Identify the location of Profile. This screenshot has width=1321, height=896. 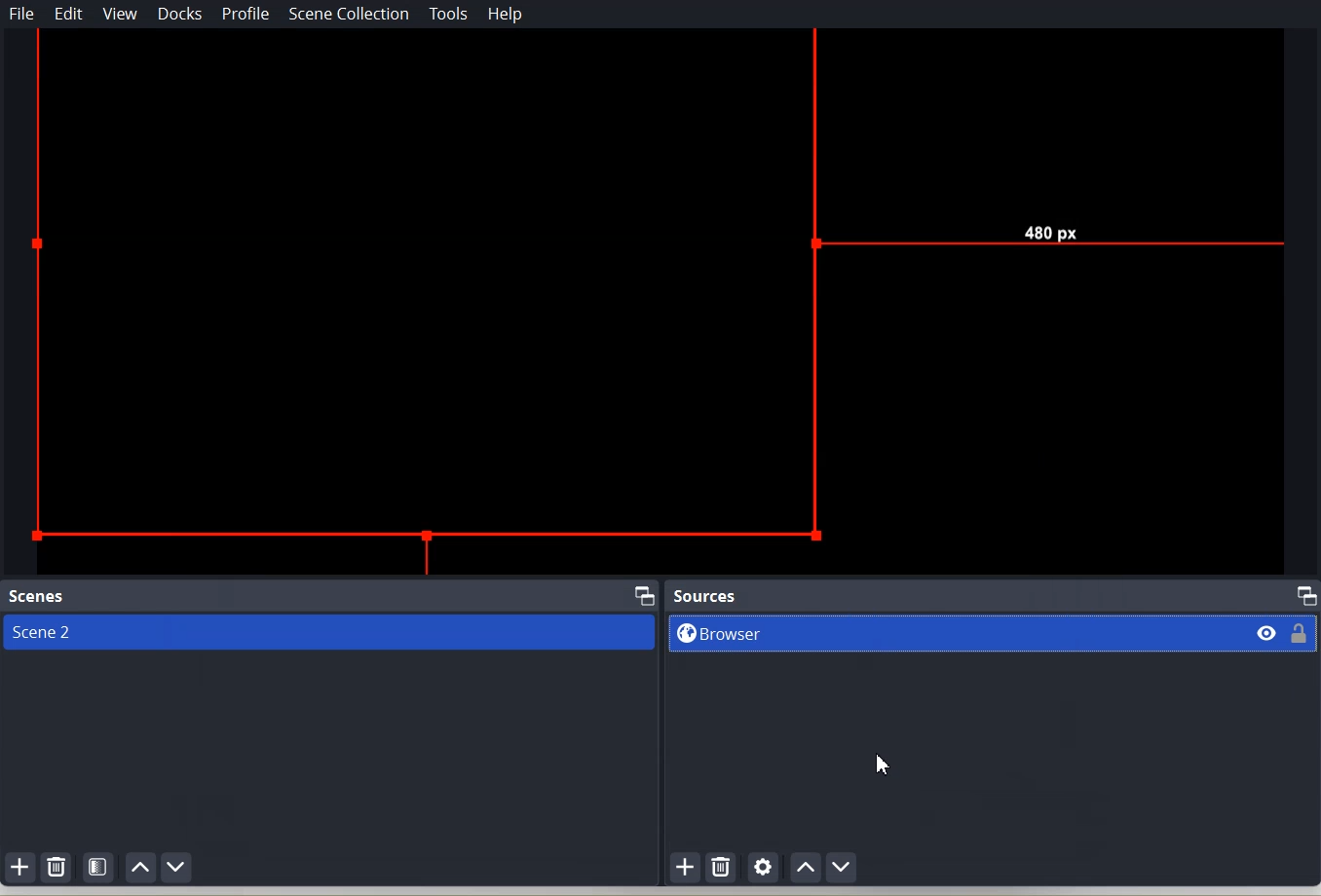
(245, 16).